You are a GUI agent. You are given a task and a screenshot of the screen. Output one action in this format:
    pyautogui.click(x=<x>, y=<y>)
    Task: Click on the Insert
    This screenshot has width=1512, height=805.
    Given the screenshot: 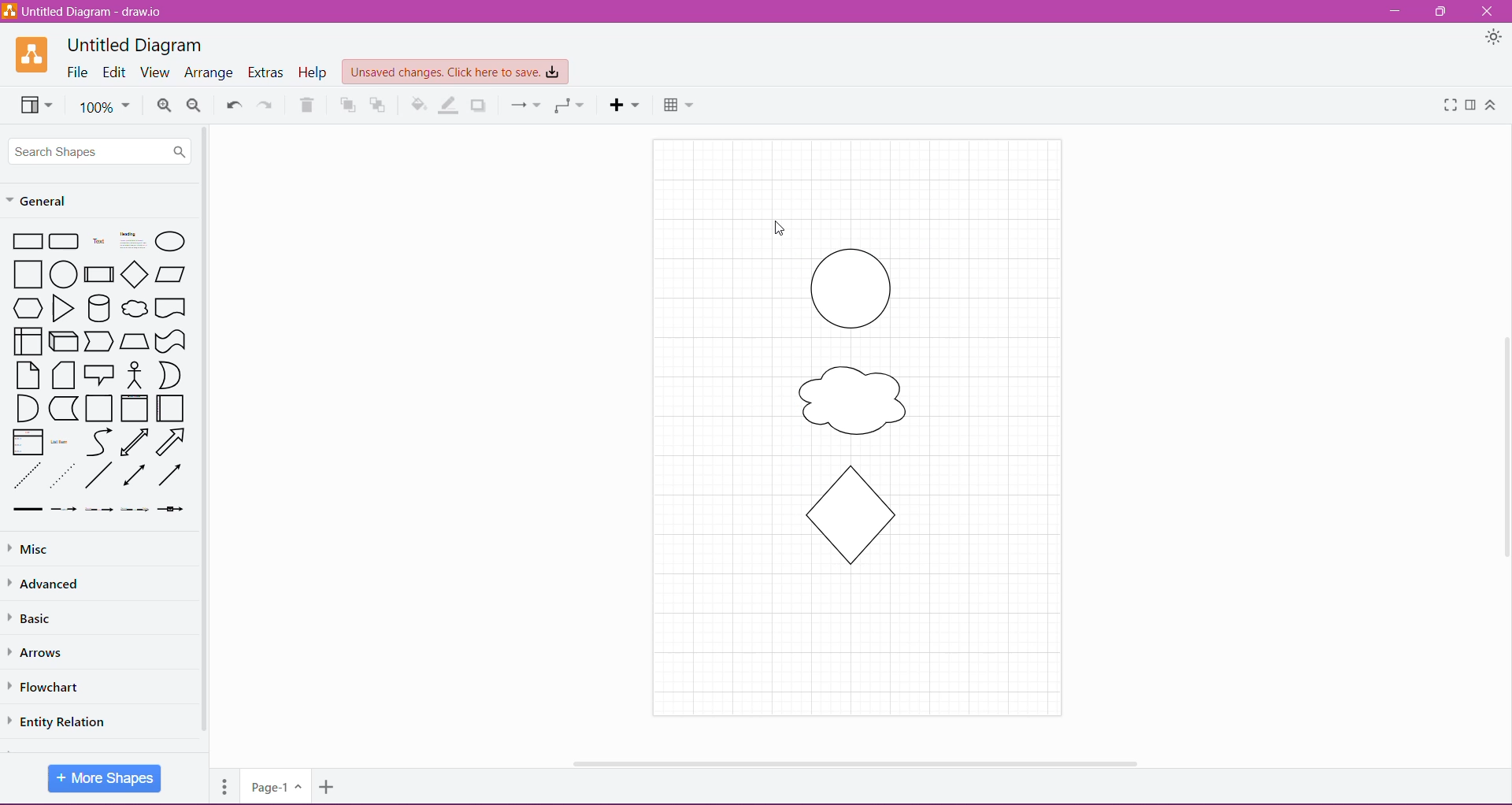 What is the action you would take?
    pyautogui.click(x=624, y=105)
    